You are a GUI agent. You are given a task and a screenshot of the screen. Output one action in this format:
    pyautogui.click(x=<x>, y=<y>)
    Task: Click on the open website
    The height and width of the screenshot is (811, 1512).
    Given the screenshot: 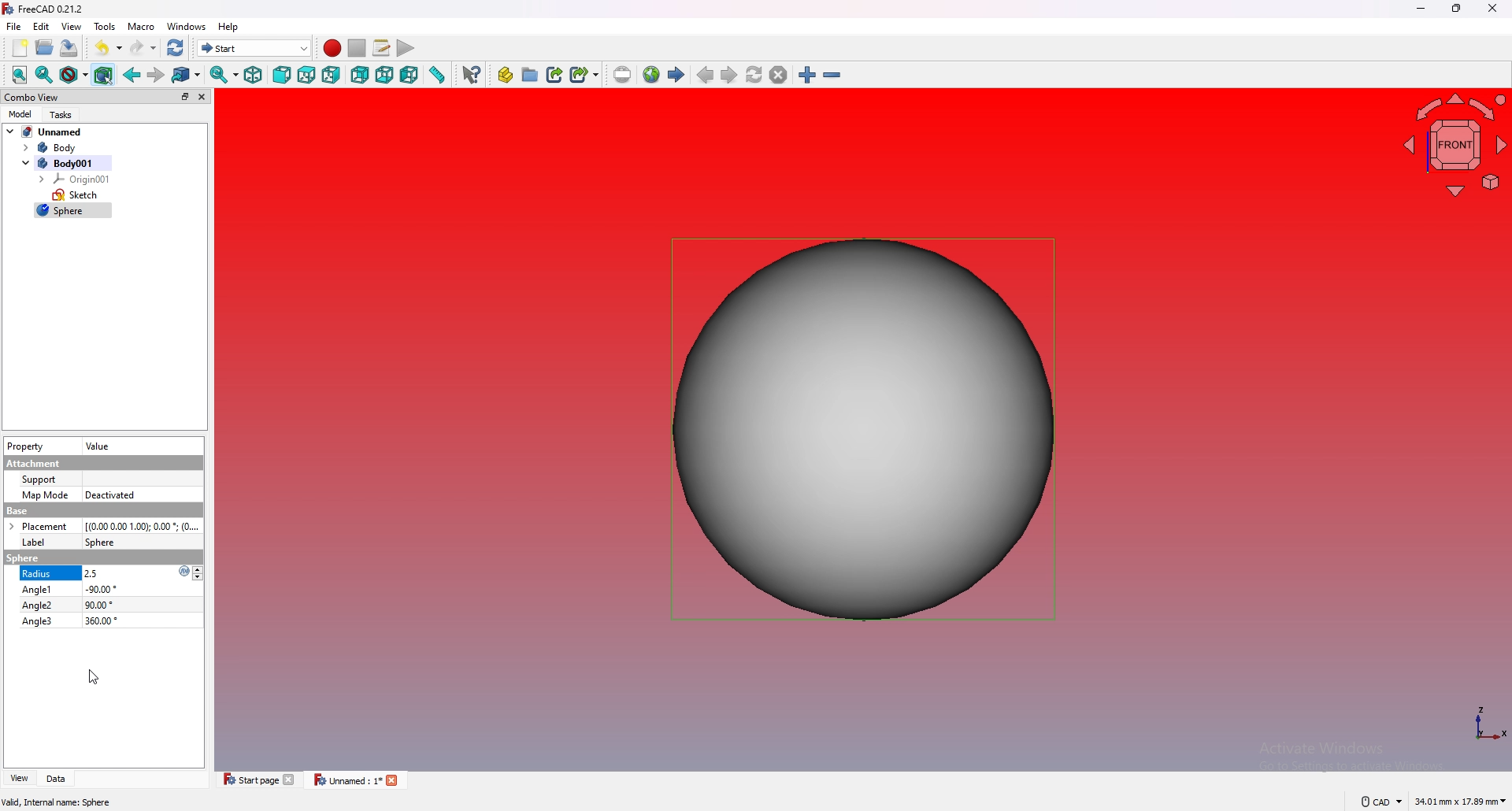 What is the action you would take?
    pyautogui.click(x=651, y=75)
    